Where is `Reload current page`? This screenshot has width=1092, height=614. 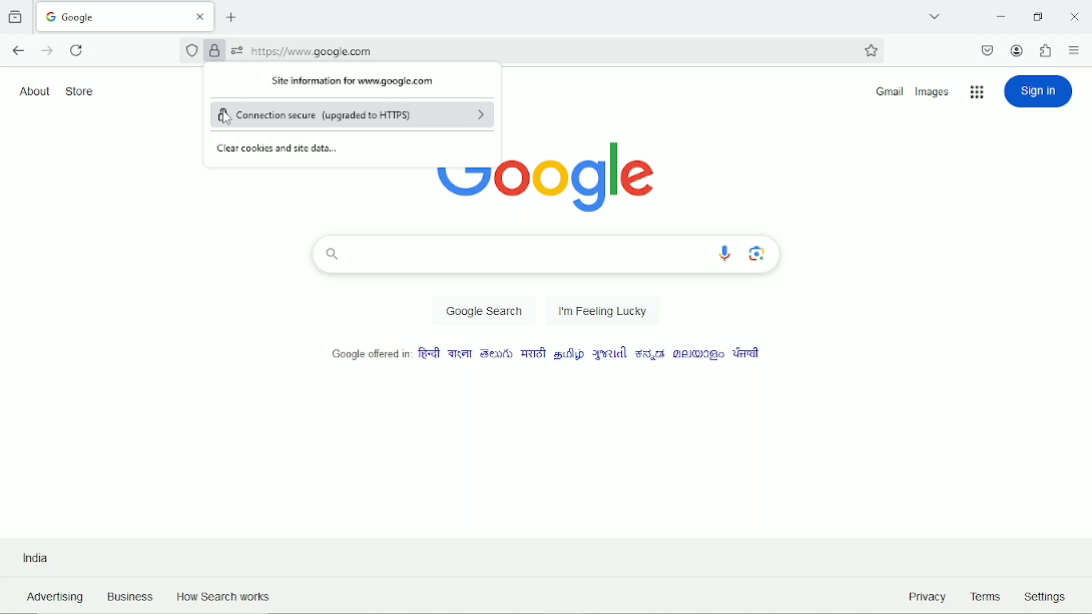
Reload current page is located at coordinates (79, 49).